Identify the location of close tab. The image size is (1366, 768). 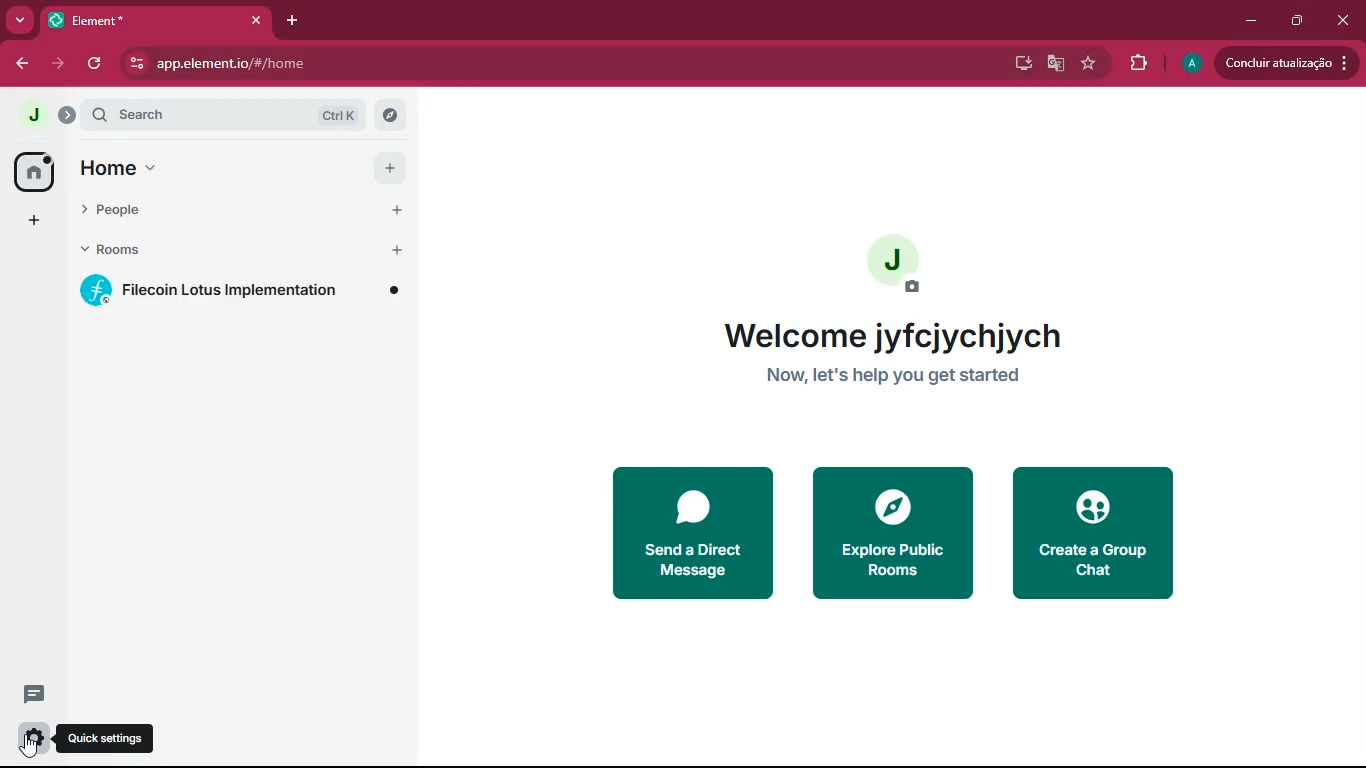
(256, 20).